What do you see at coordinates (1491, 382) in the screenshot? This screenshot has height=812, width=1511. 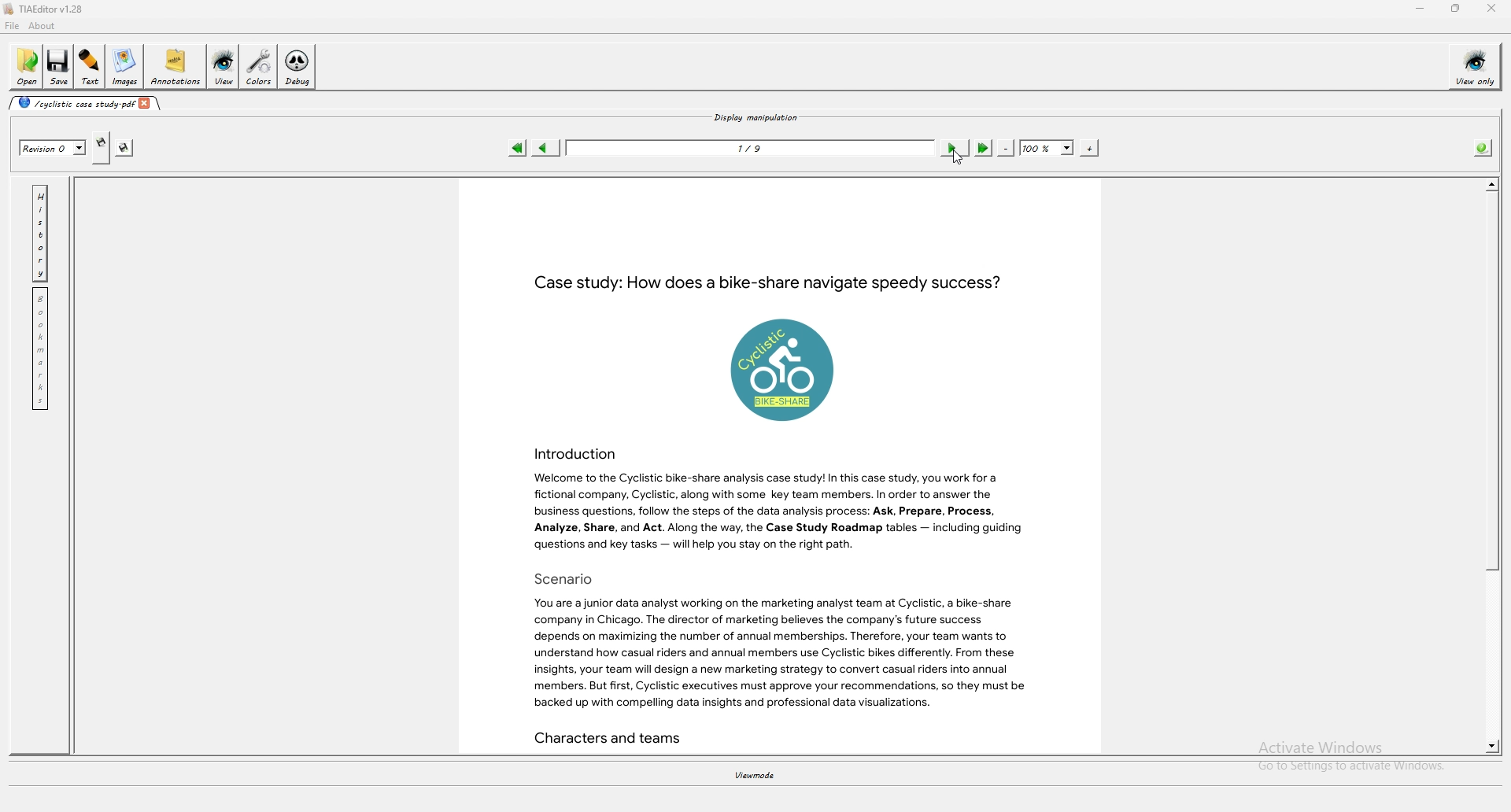 I see `scroll bar` at bounding box center [1491, 382].